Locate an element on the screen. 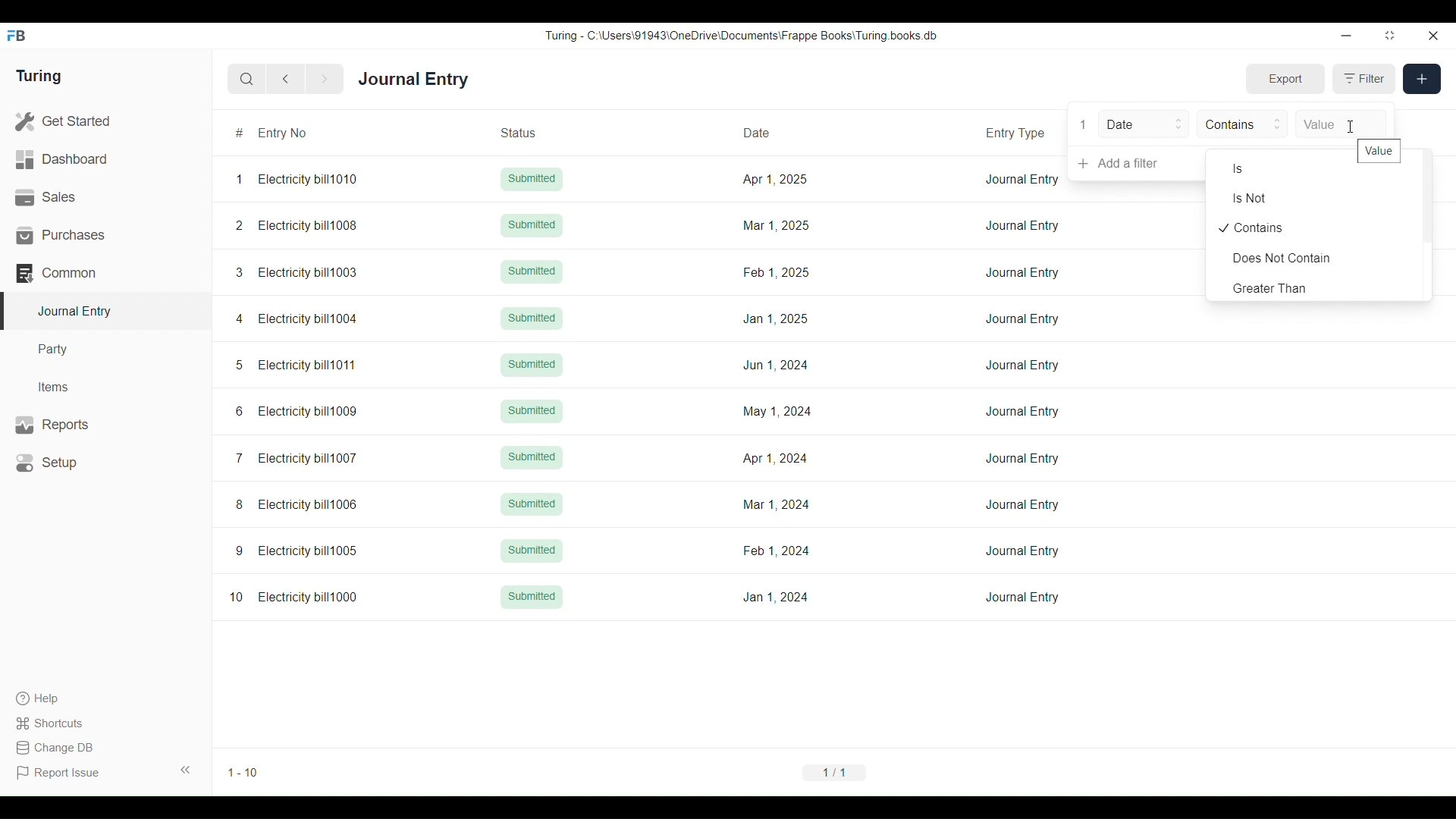  Is is located at coordinates (1282, 168).